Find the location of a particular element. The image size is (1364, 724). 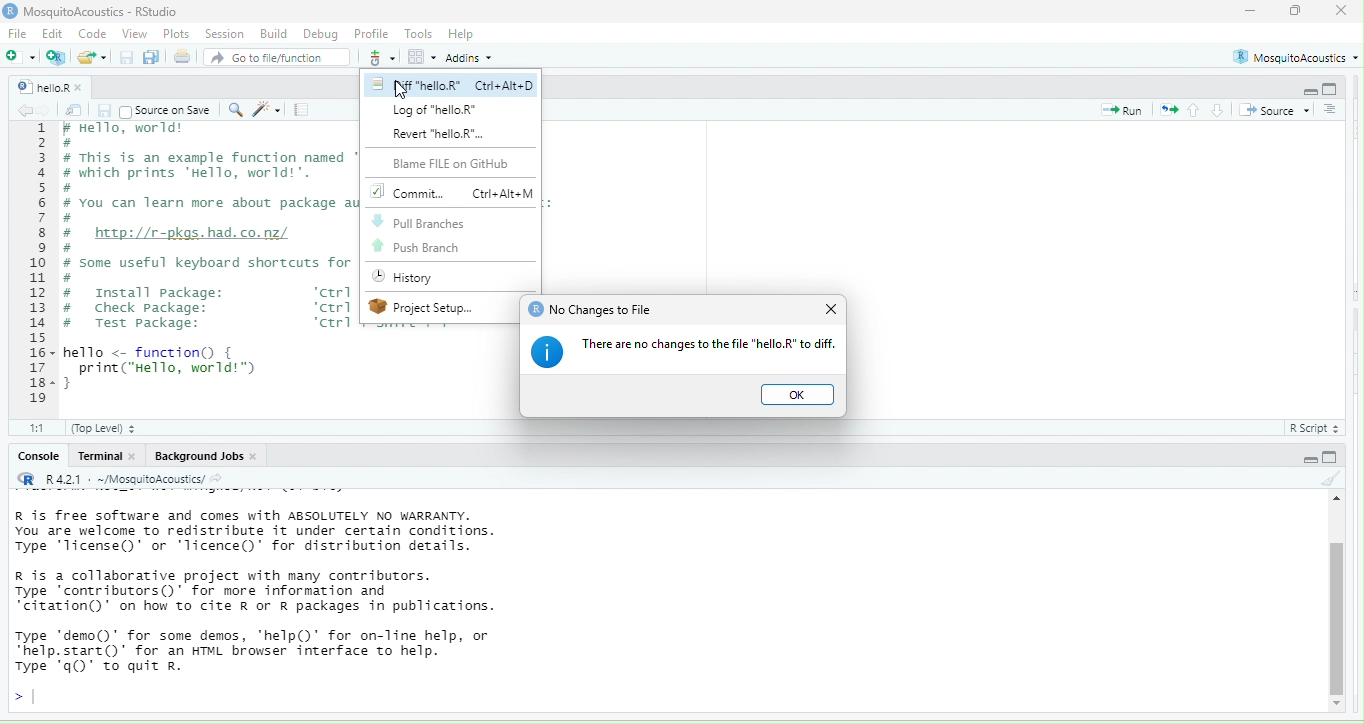

session is located at coordinates (225, 35).